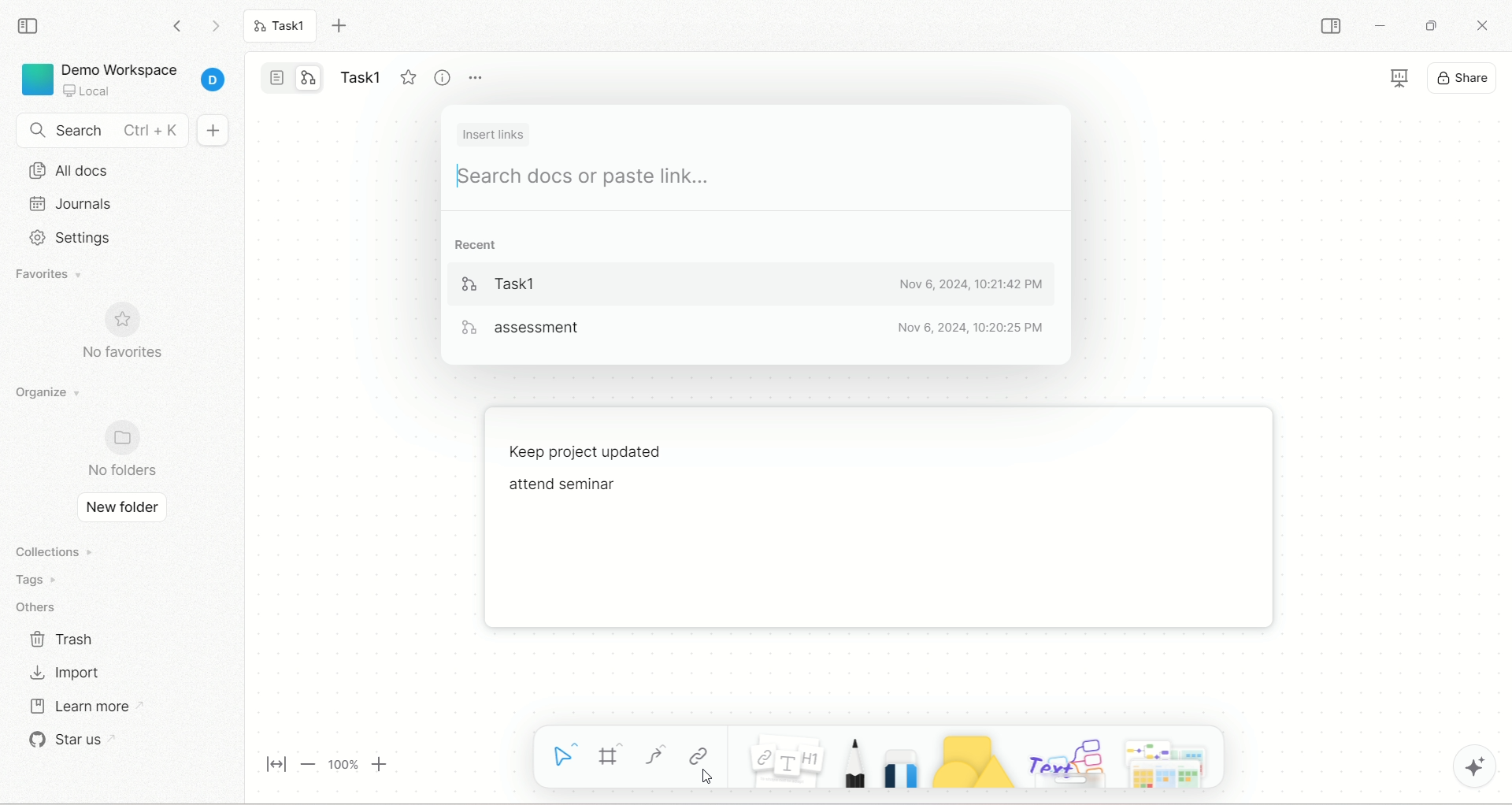 The image size is (1512, 805). Describe the element at coordinates (126, 448) in the screenshot. I see `no folders` at that location.